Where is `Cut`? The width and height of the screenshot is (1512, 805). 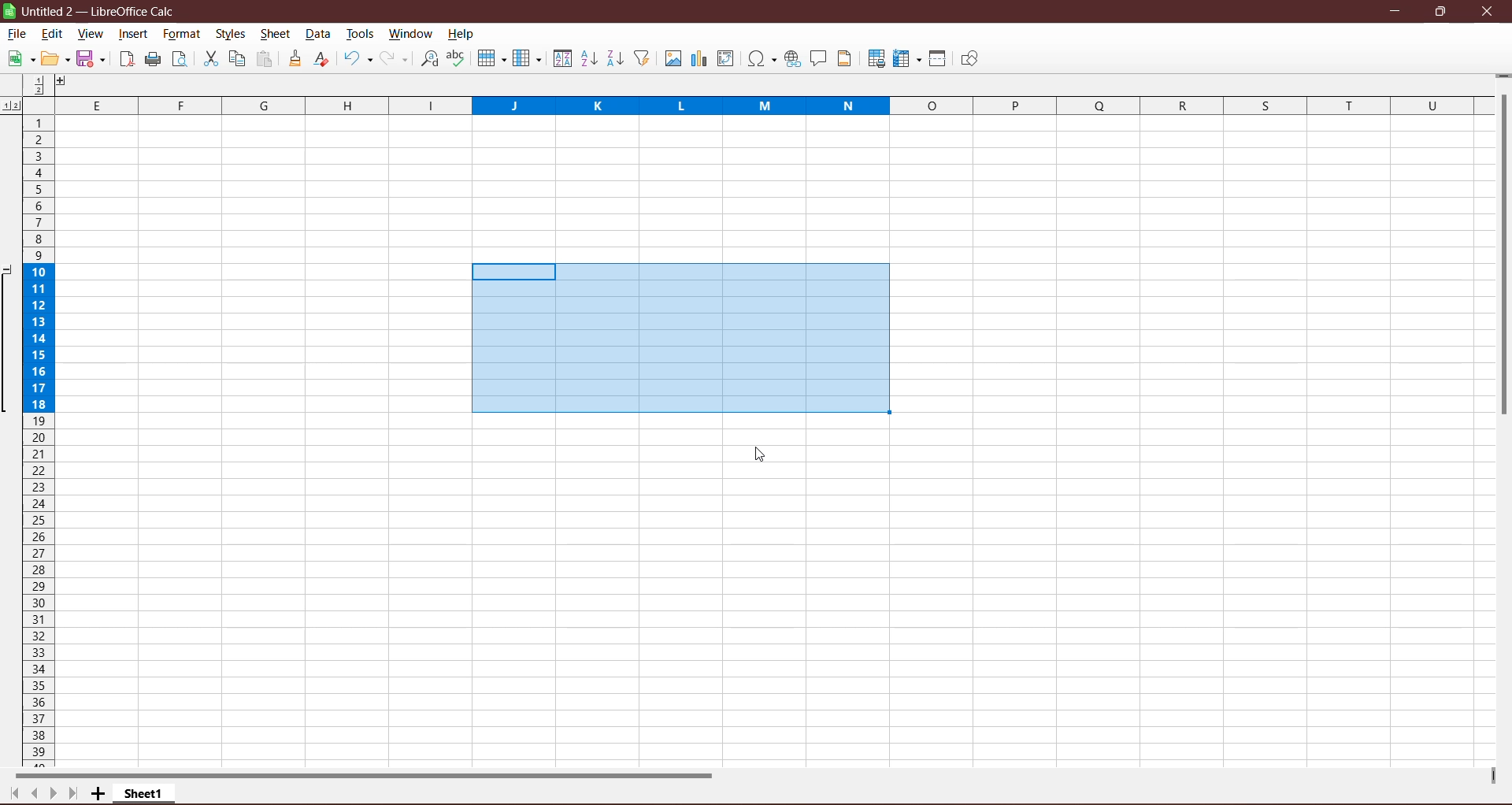
Cut is located at coordinates (209, 59).